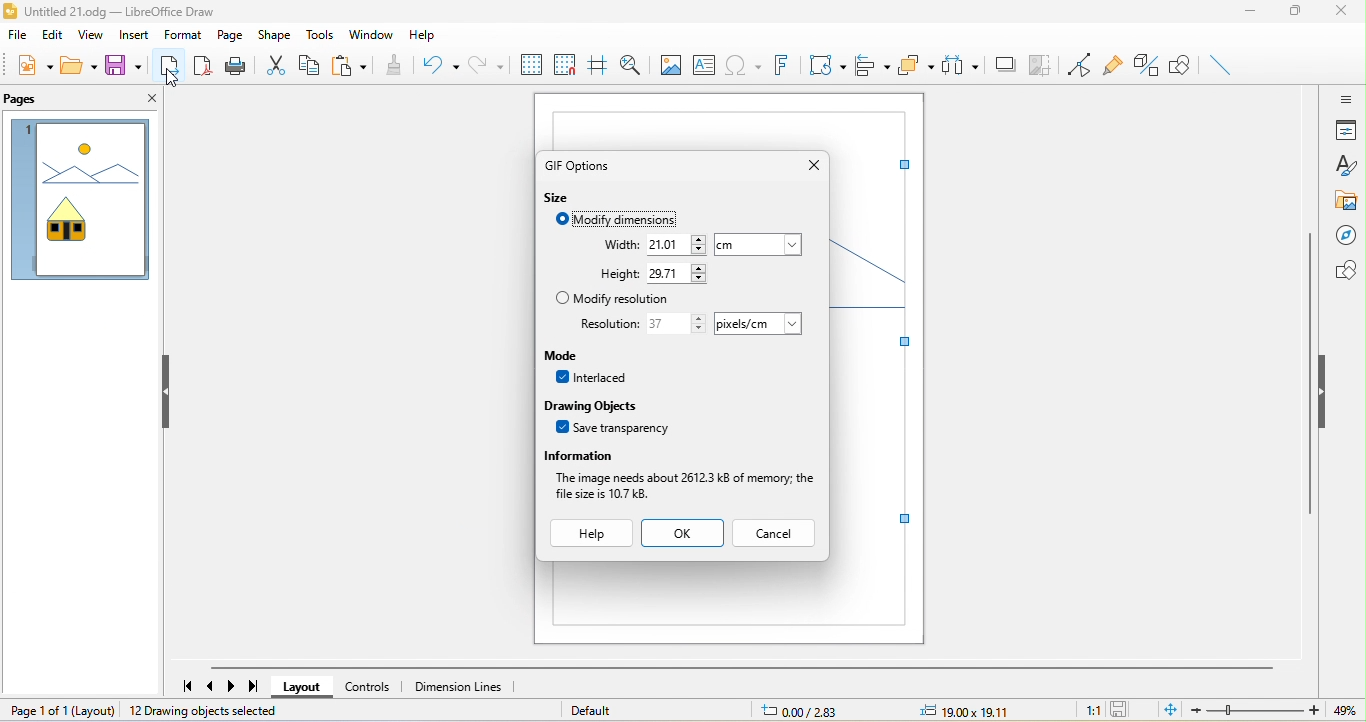 The width and height of the screenshot is (1366, 722). Describe the element at coordinates (60, 709) in the screenshot. I see `page 1 of 1` at that location.